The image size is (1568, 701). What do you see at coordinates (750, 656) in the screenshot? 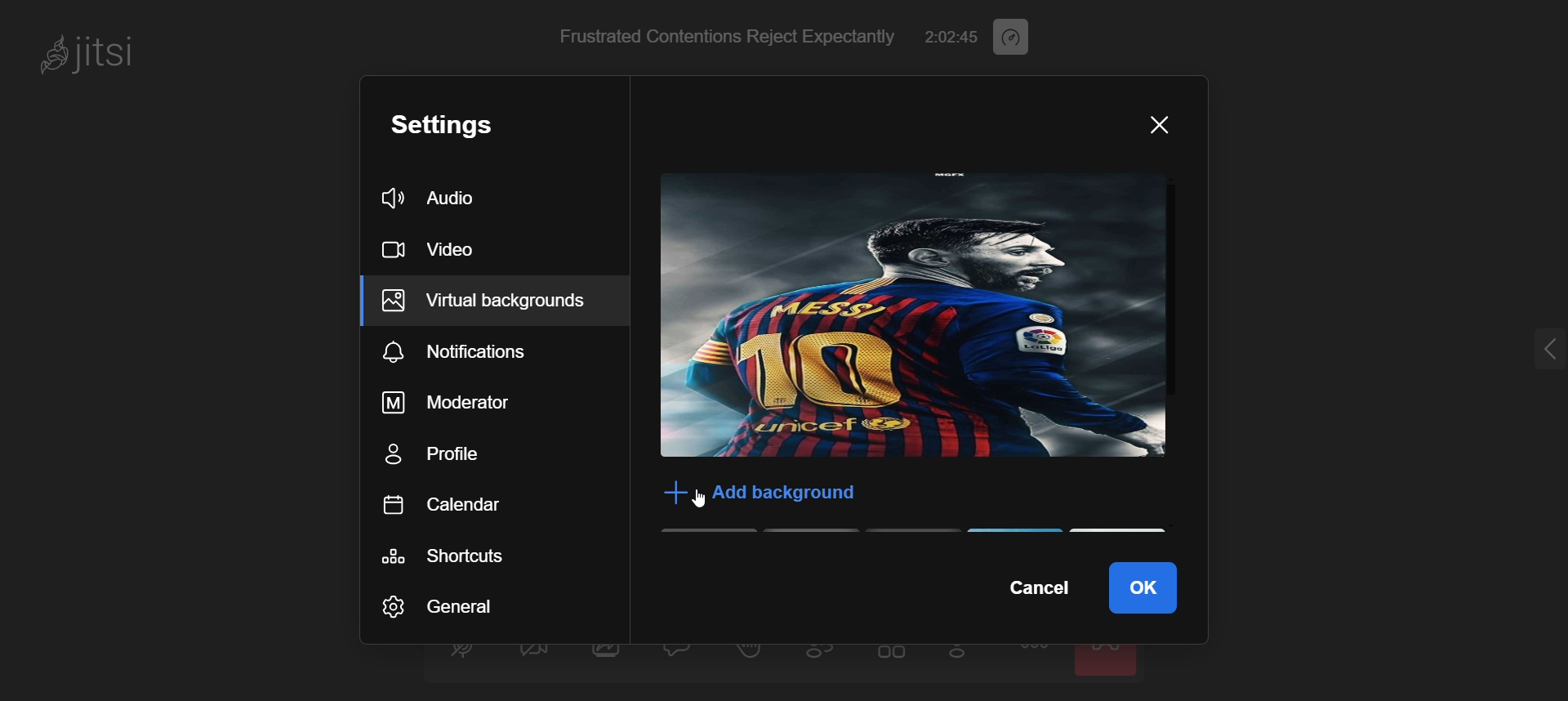
I see `raise hand` at bounding box center [750, 656].